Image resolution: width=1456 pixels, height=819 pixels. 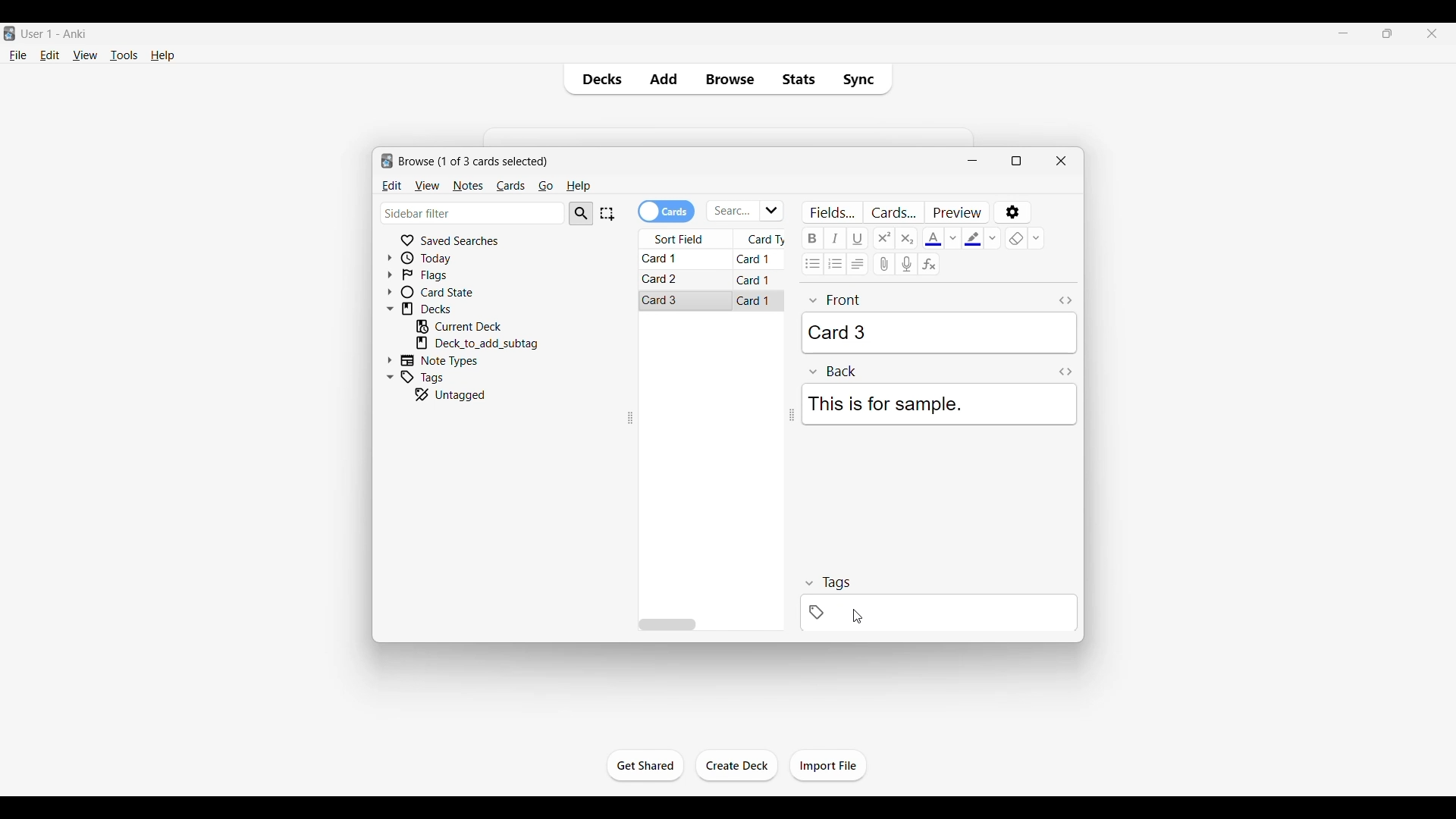 I want to click on User 1 - Anki, so click(x=55, y=33).